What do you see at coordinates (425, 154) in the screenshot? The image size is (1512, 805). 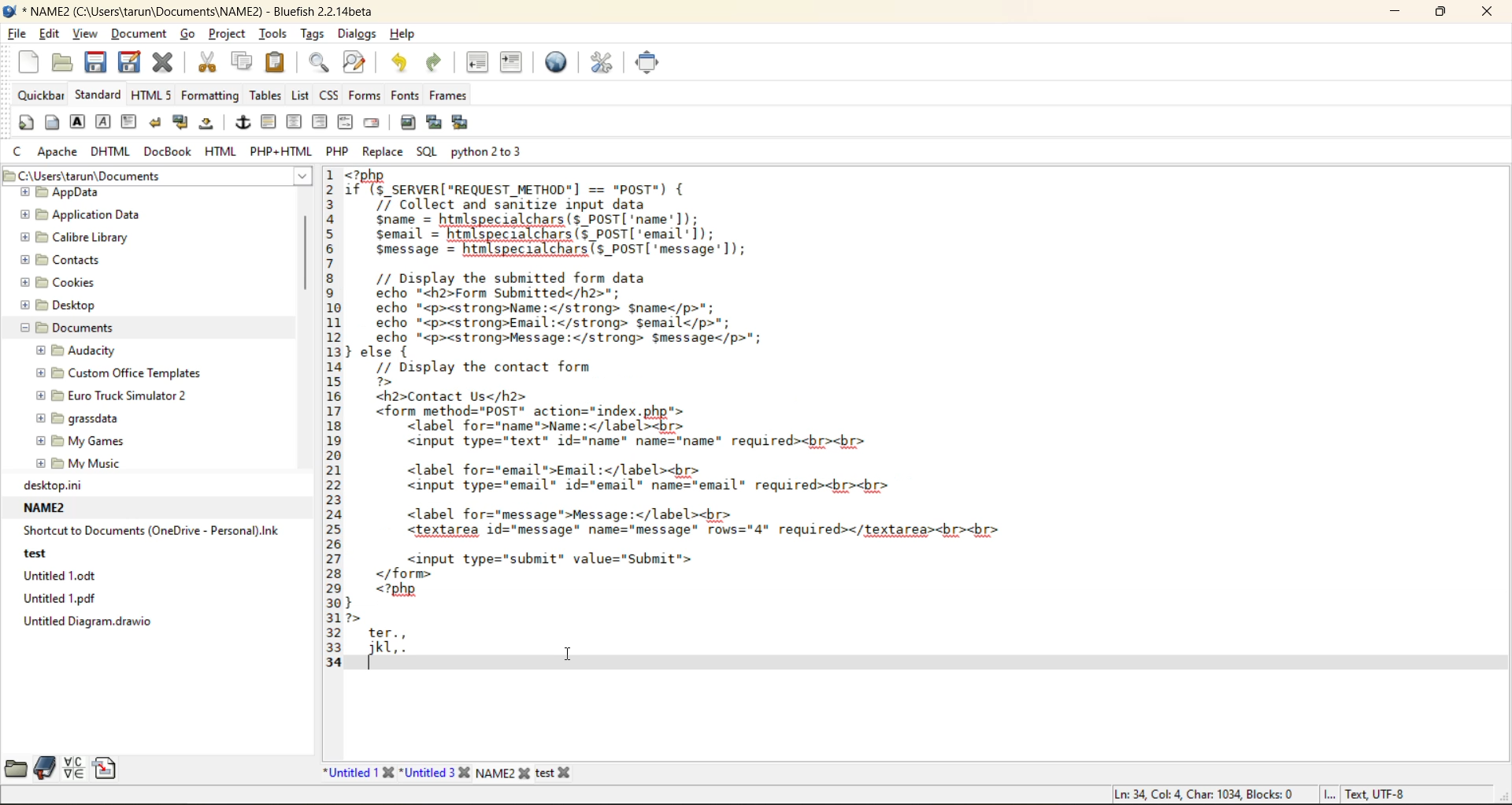 I see `sql` at bounding box center [425, 154].